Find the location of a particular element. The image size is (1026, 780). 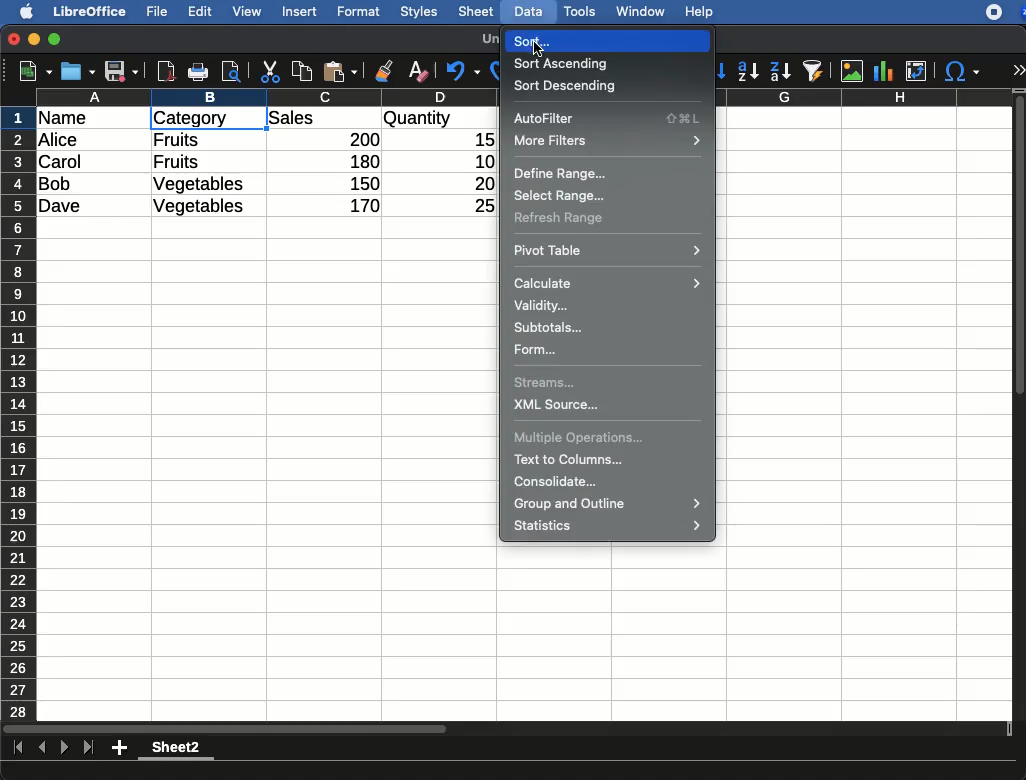

extensions is located at coordinates (1005, 12).